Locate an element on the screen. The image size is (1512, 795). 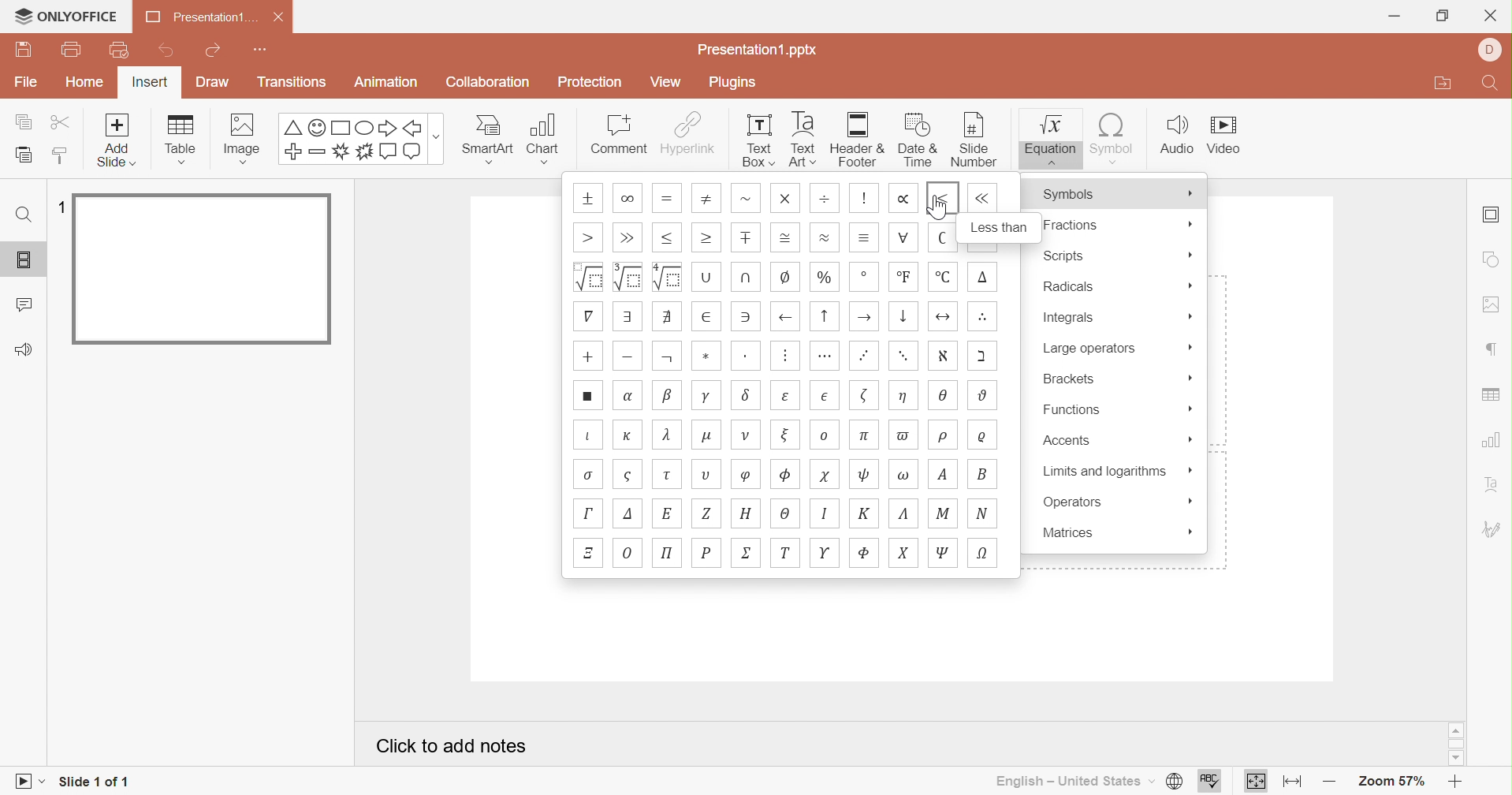
Fit to width is located at coordinates (1292, 782).